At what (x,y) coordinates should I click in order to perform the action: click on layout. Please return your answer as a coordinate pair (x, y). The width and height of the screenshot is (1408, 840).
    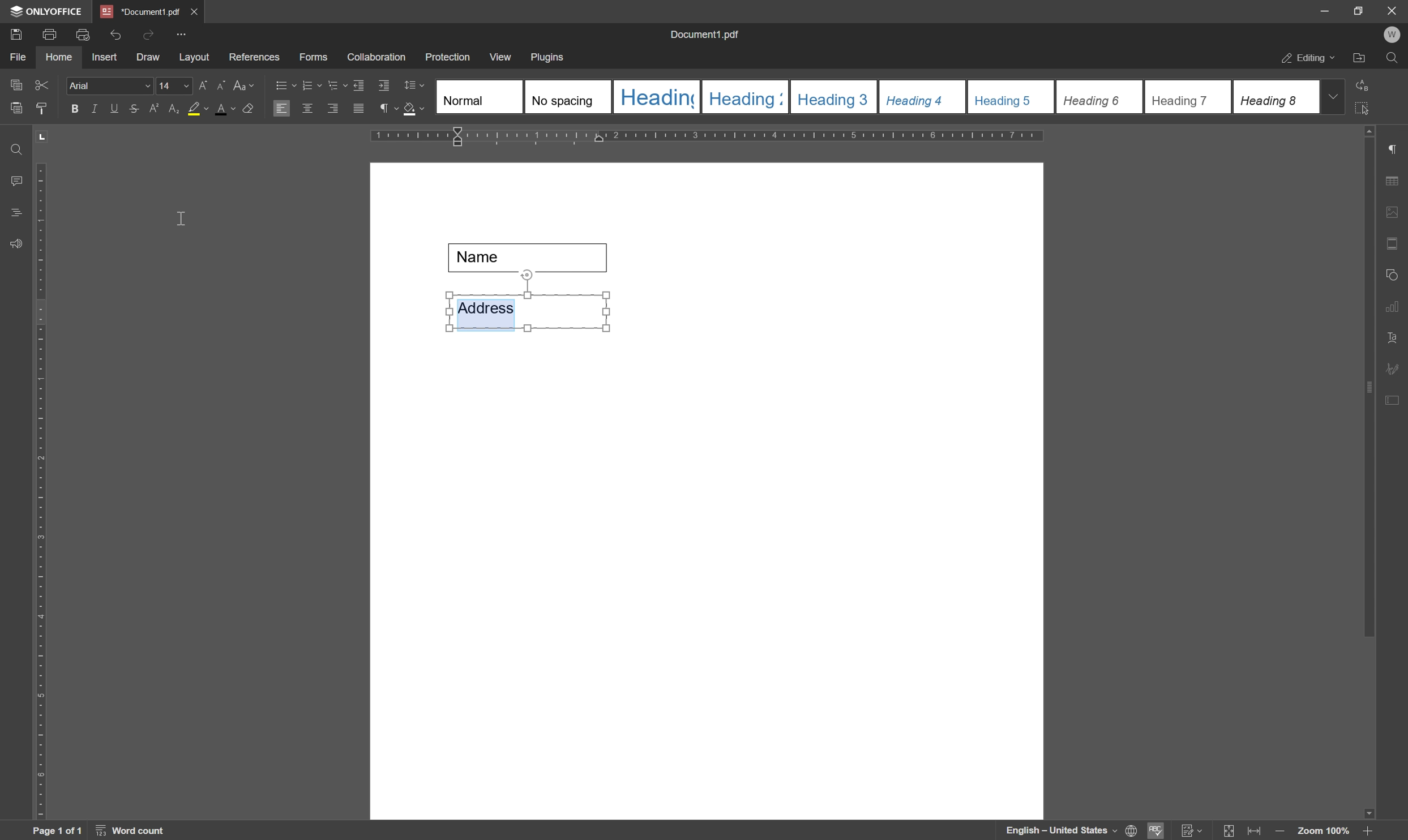
    Looking at the image, I should click on (194, 58).